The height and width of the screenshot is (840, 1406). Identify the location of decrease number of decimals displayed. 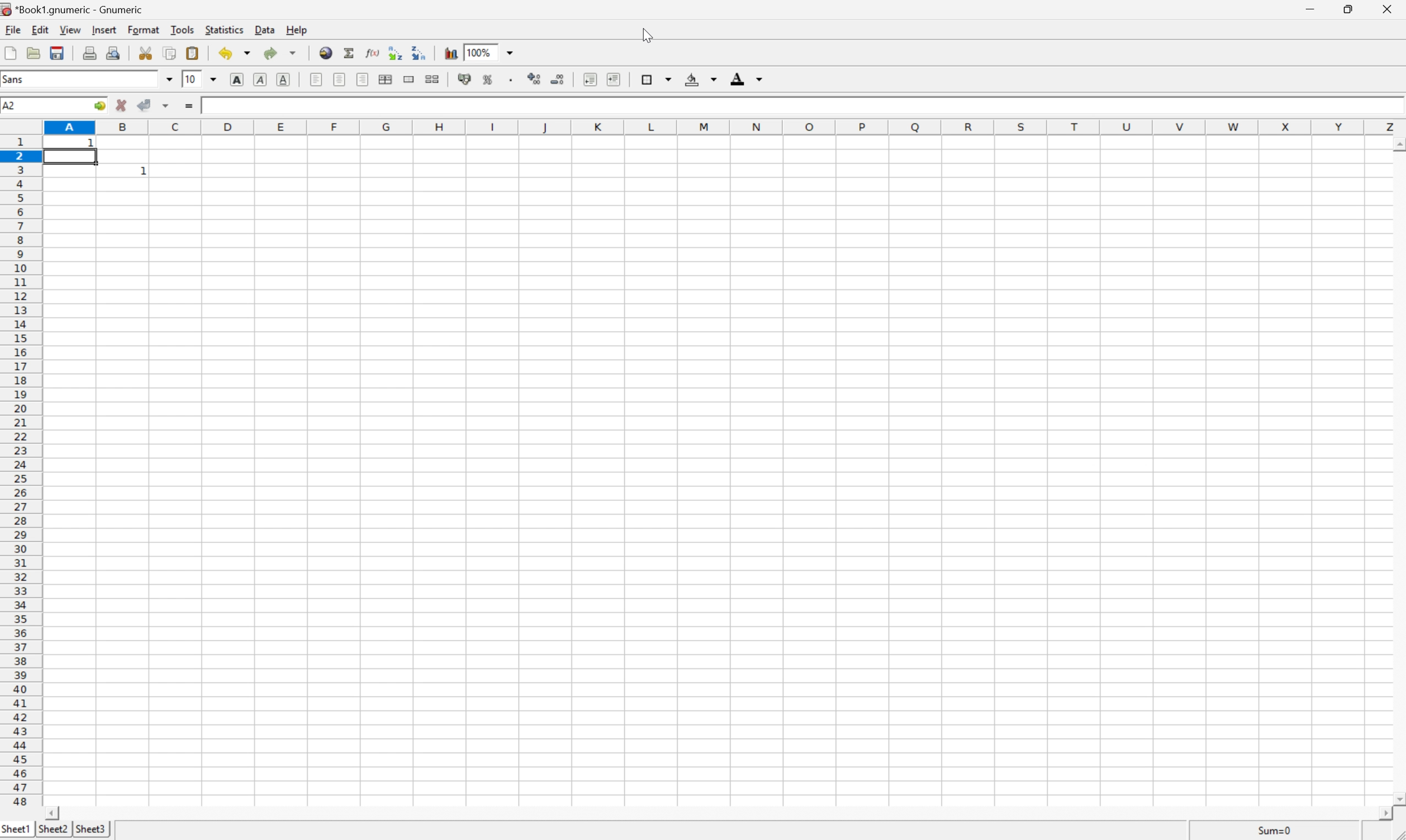
(559, 79).